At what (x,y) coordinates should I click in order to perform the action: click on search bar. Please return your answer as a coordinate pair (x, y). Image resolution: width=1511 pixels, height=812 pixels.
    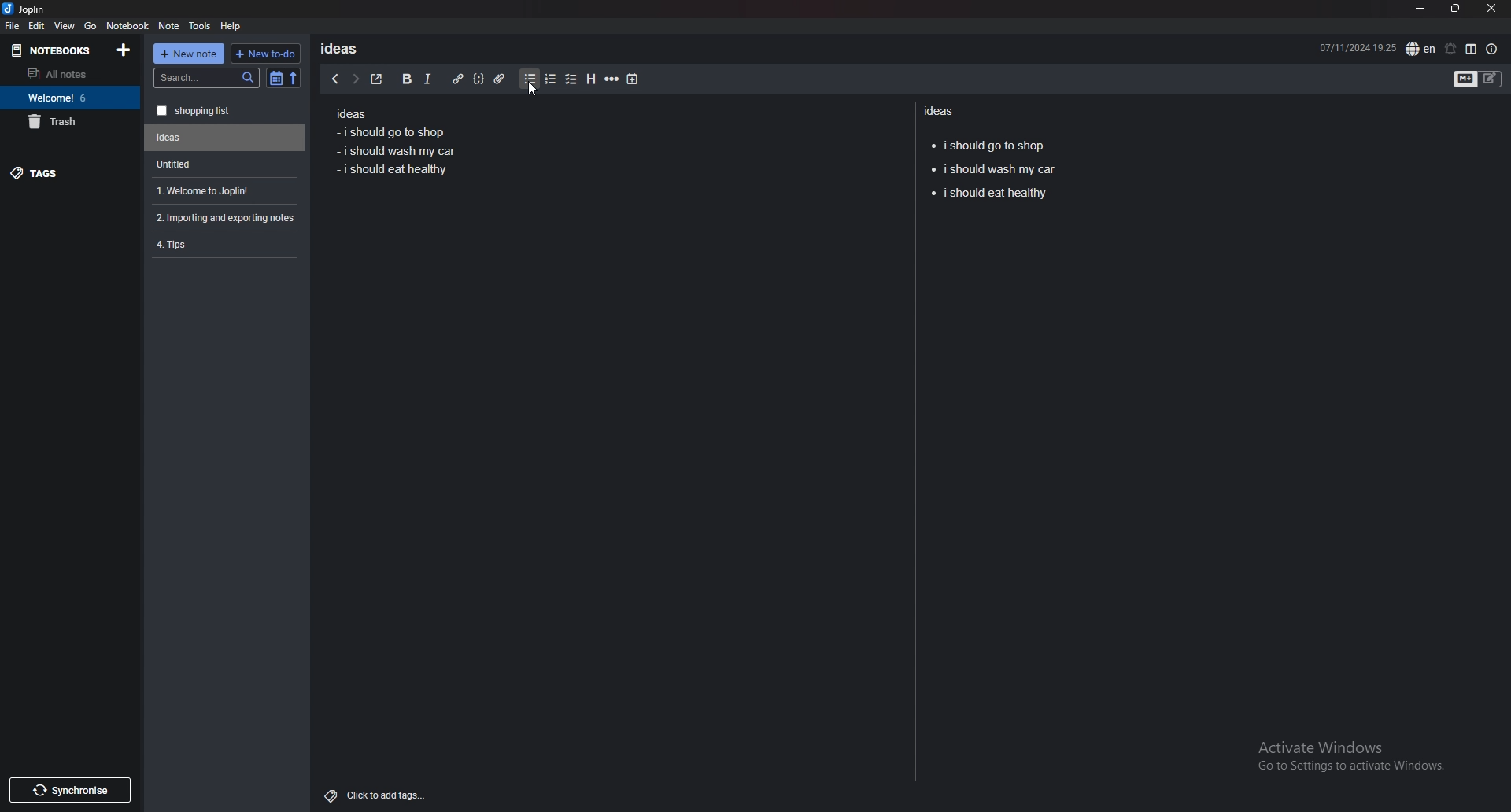
    Looking at the image, I should click on (207, 78).